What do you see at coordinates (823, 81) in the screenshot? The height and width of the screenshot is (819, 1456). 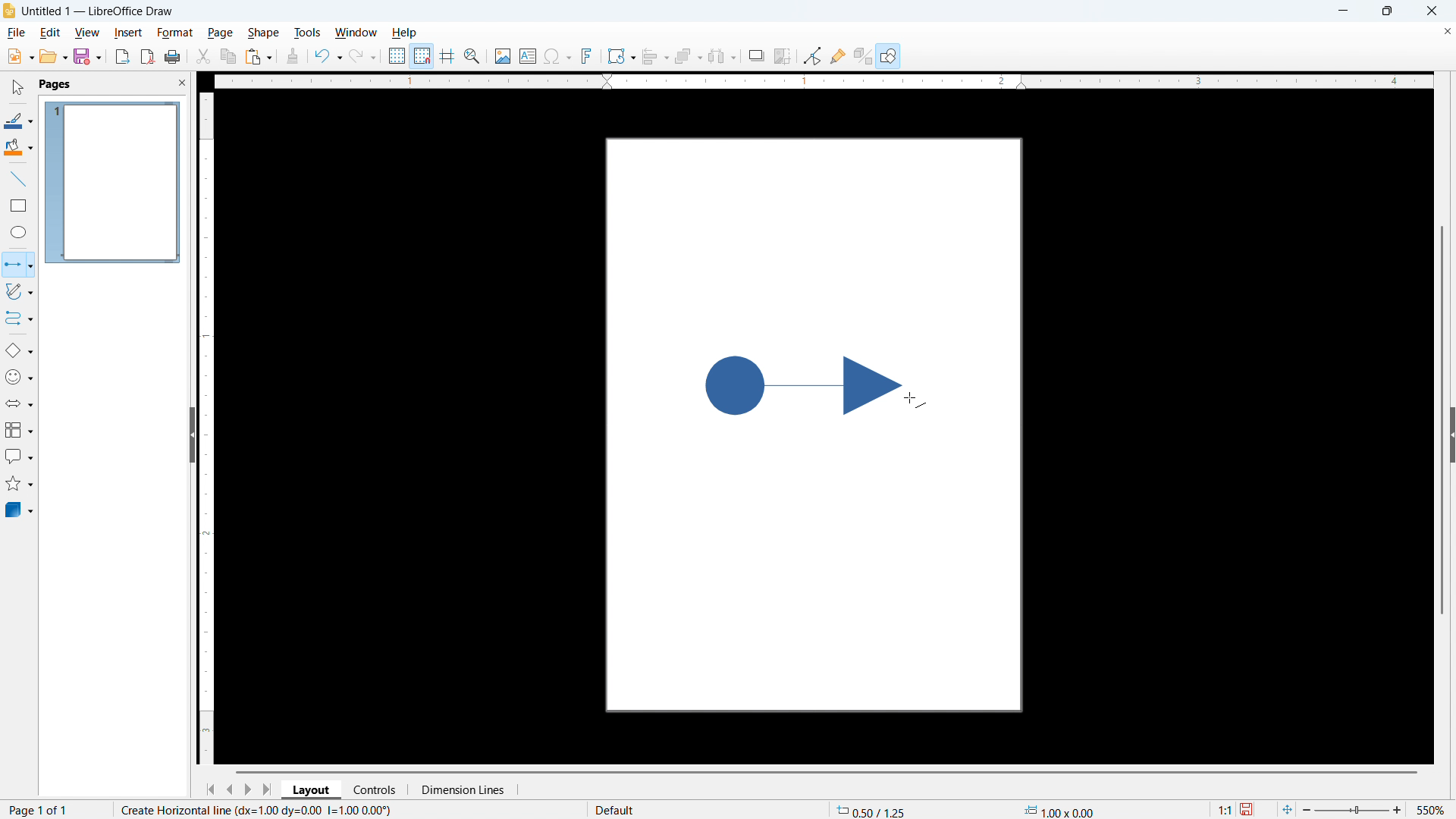 I see `Horizontal ruler ` at bounding box center [823, 81].